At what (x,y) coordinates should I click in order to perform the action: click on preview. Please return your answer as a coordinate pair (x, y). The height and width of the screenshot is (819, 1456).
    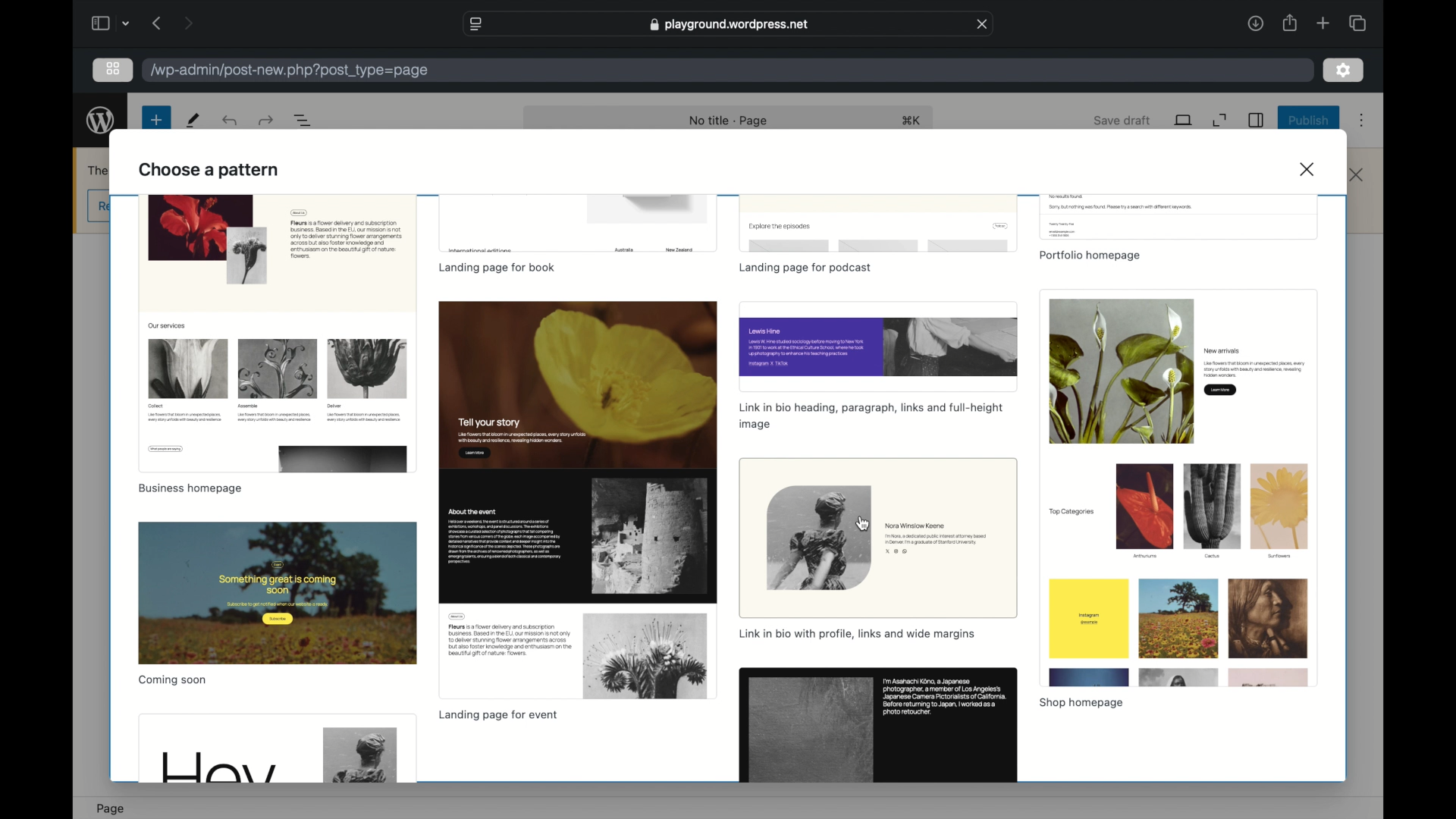
    Looking at the image, I should click on (579, 224).